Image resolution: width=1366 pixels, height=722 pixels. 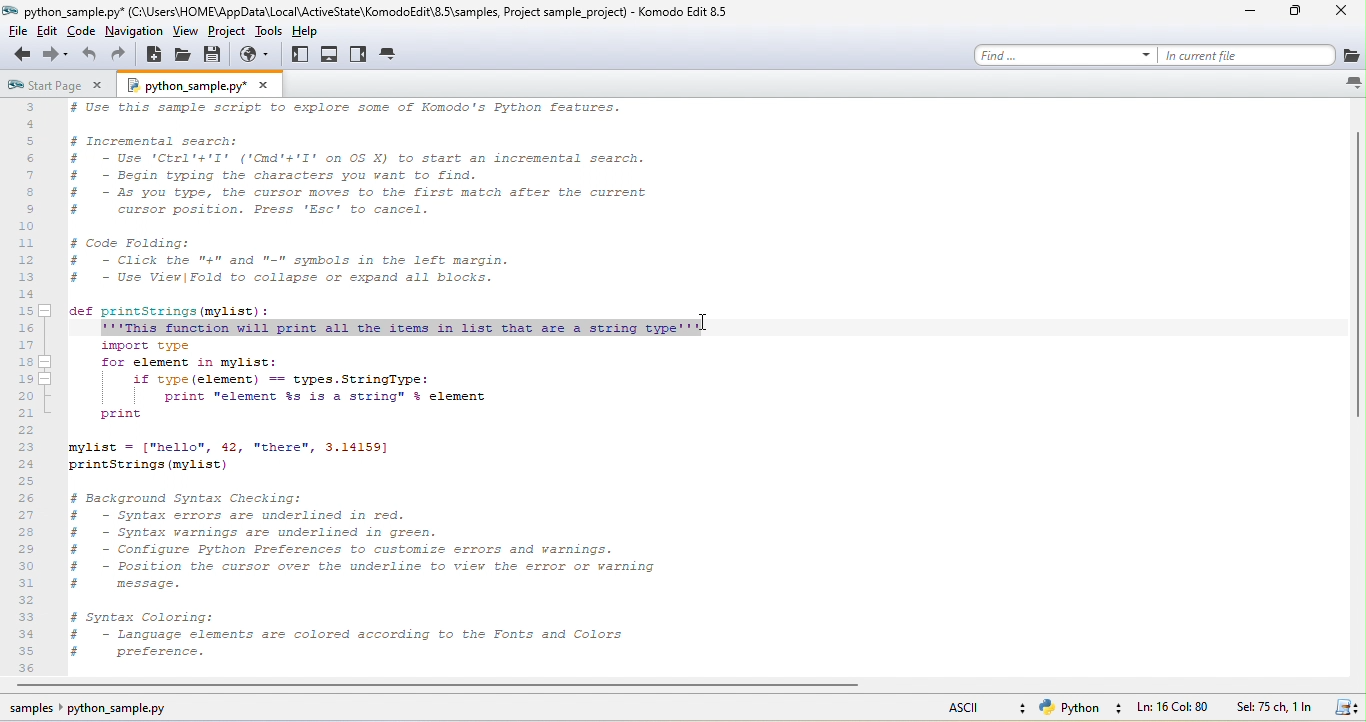 What do you see at coordinates (50, 33) in the screenshot?
I see `edit` at bounding box center [50, 33].